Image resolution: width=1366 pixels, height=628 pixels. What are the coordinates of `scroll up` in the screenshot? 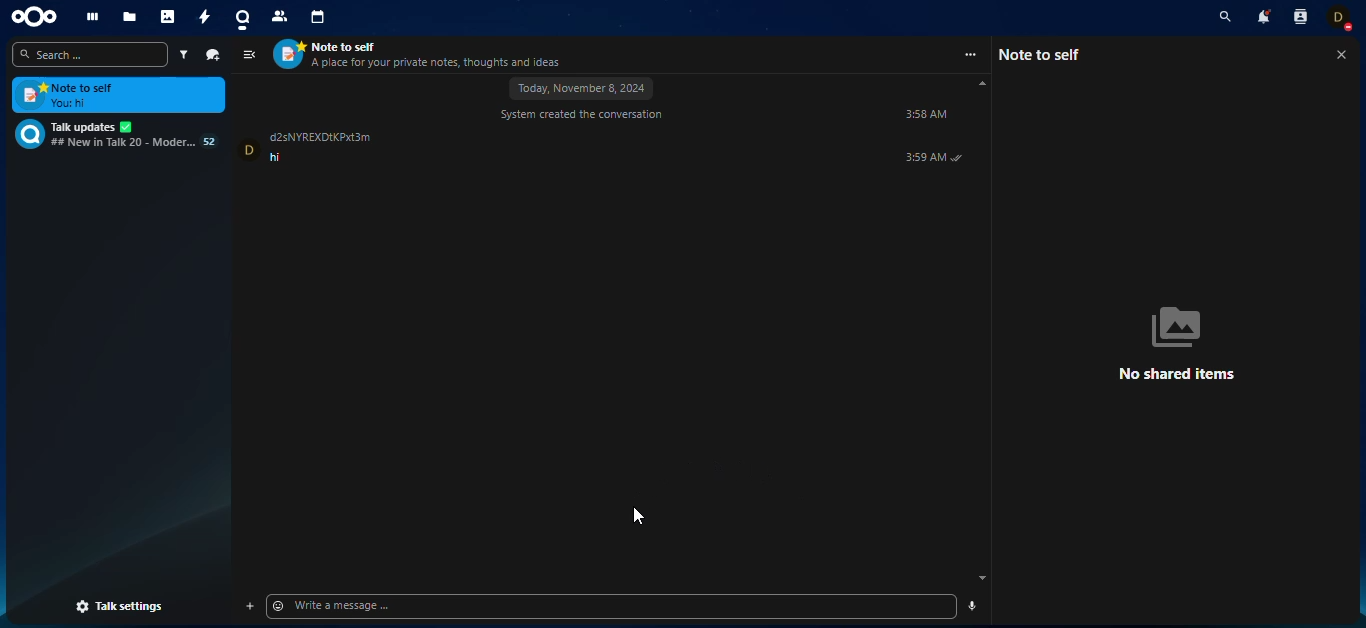 It's located at (983, 85).